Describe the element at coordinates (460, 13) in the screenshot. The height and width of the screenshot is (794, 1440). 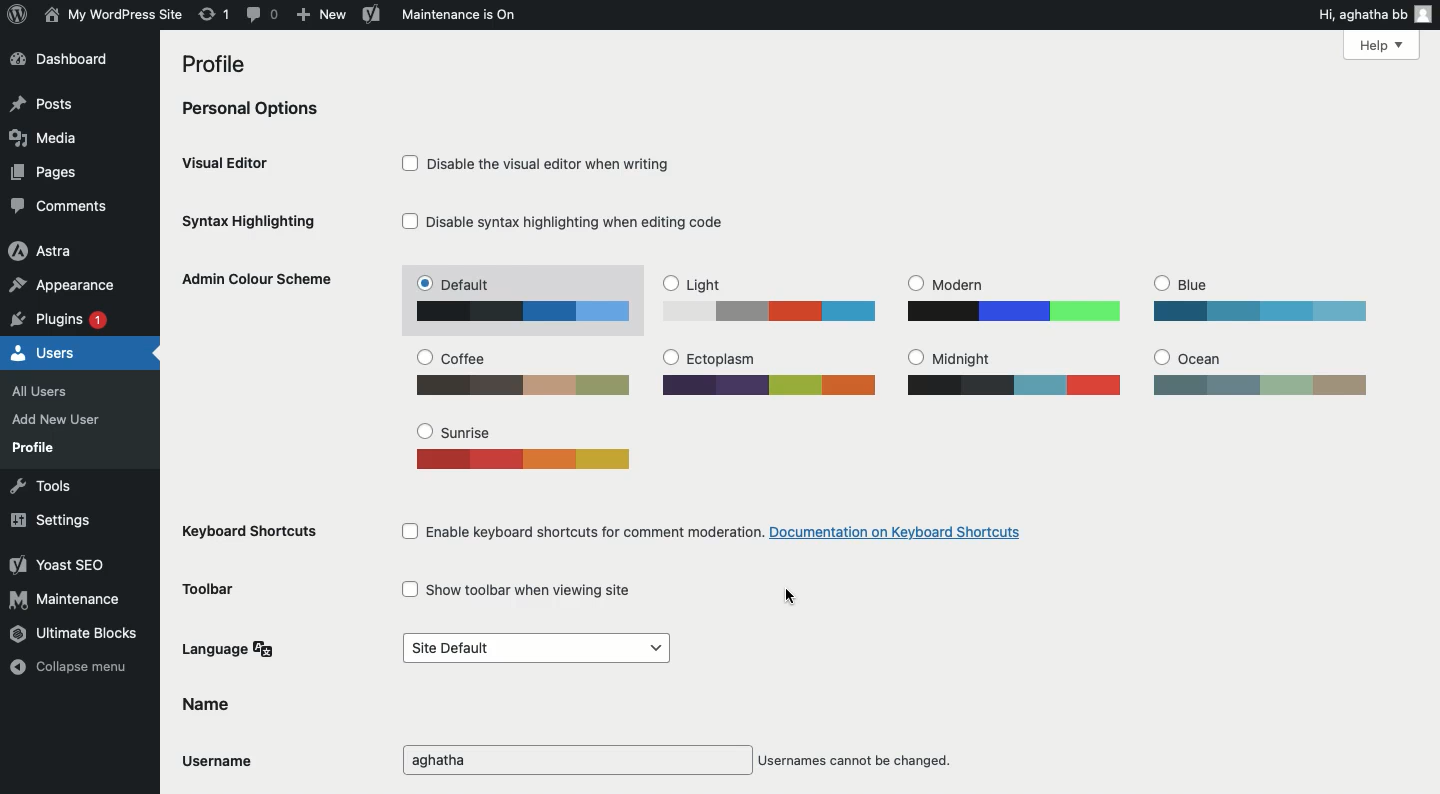
I see `Maintenance is on` at that location.